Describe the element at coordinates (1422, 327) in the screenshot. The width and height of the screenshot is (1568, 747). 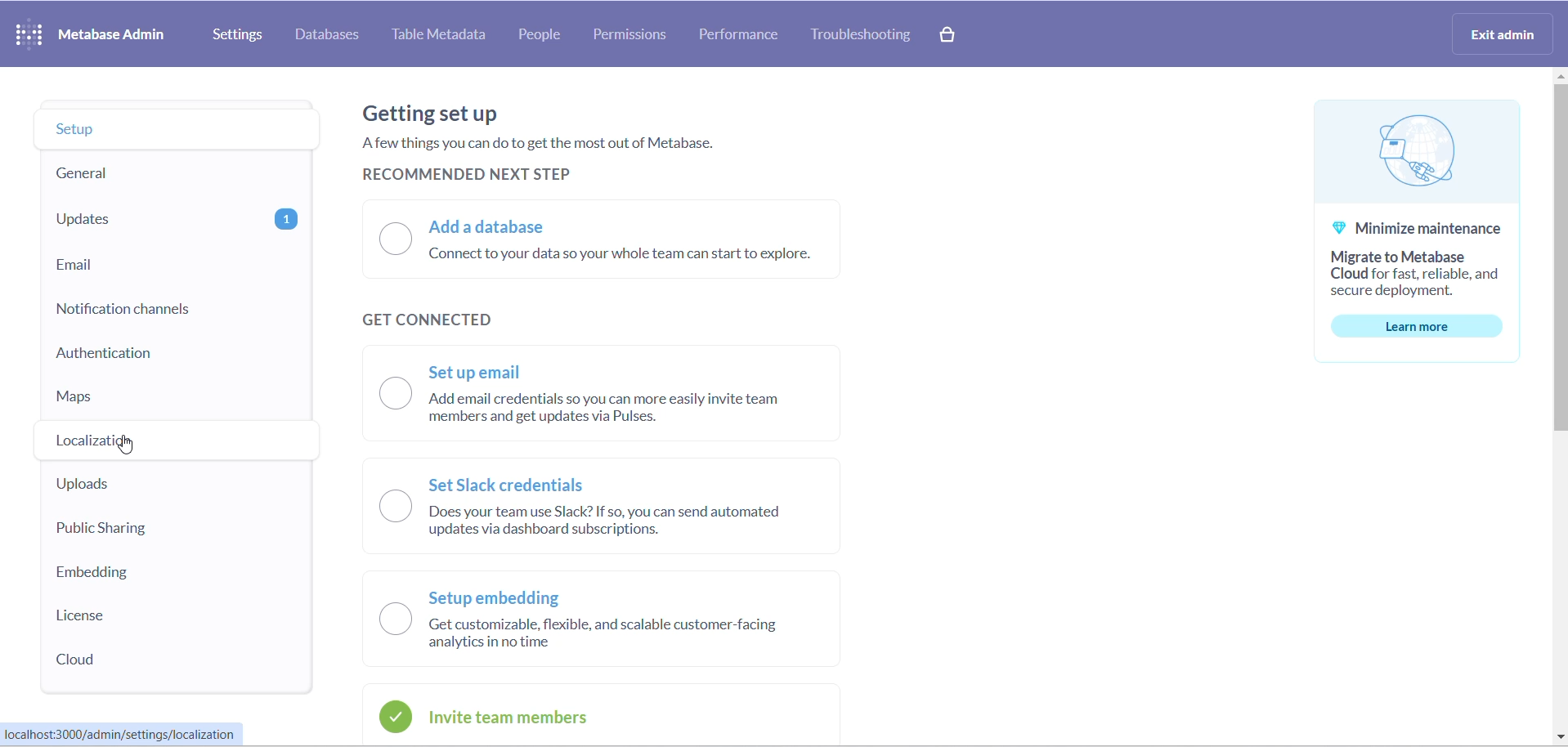
I see `learn more button` at that location.